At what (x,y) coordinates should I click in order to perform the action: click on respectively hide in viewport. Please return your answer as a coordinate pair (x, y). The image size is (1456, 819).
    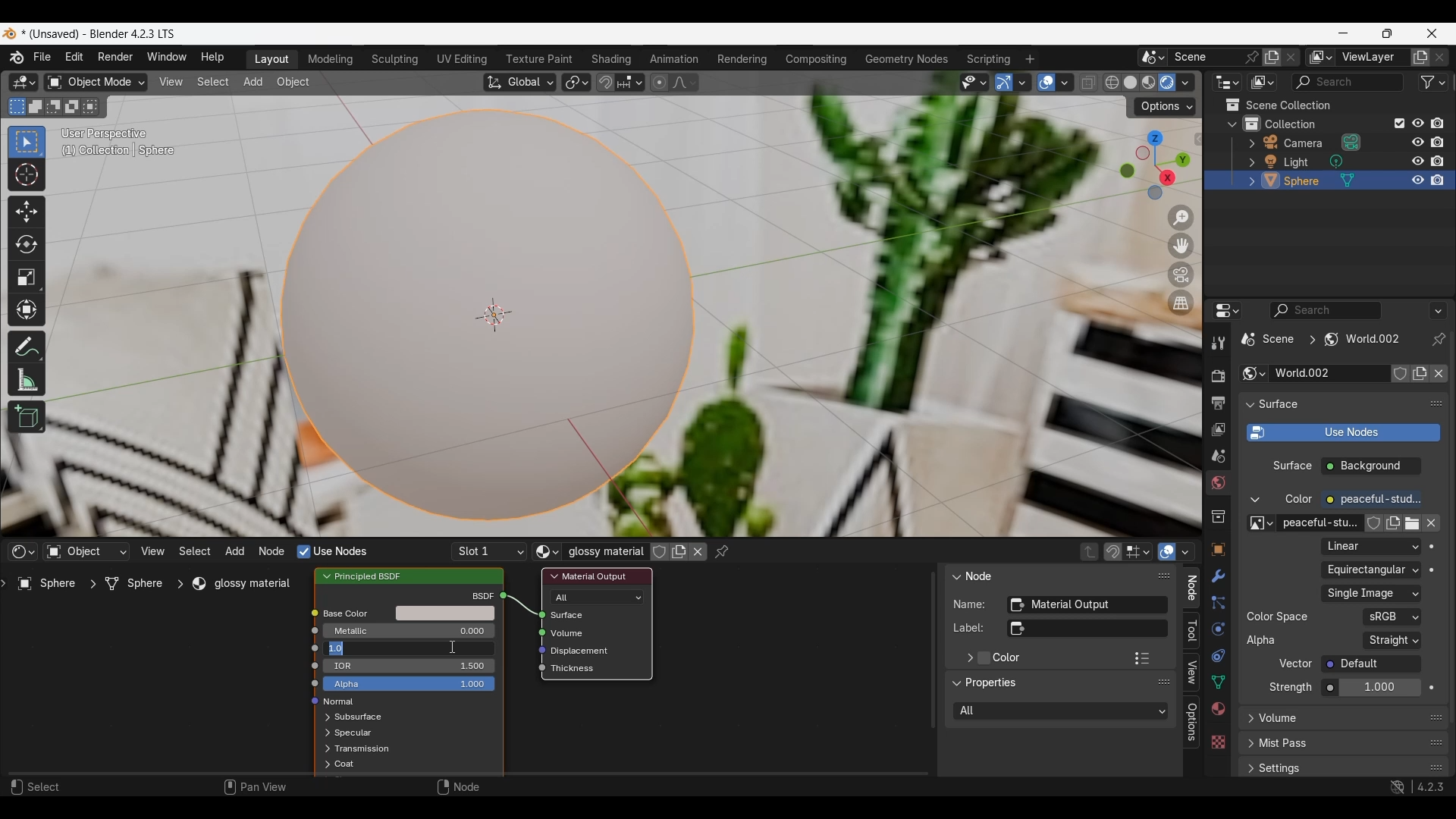
    Looking at the image, I should click on (1417, 141).